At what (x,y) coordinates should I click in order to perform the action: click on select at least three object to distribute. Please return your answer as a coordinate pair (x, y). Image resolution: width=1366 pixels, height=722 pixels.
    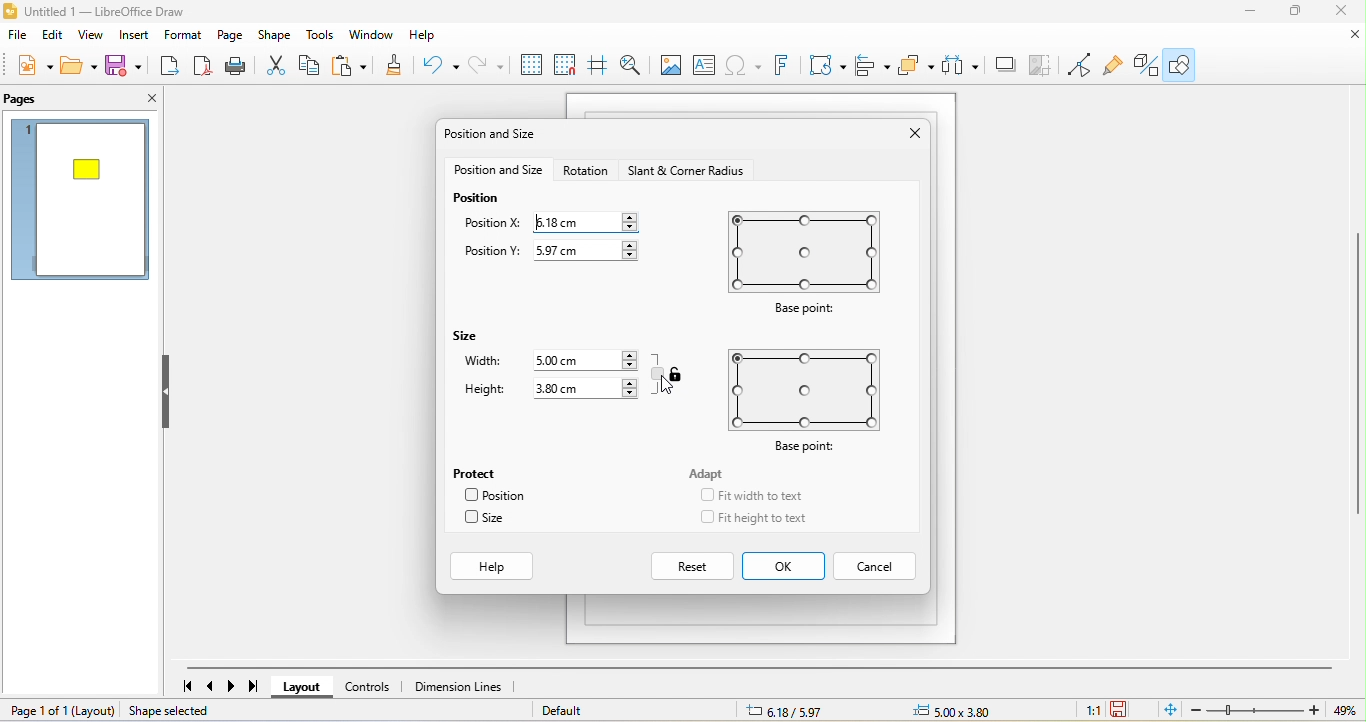
    Looking at the image, I should click on (963, 64).